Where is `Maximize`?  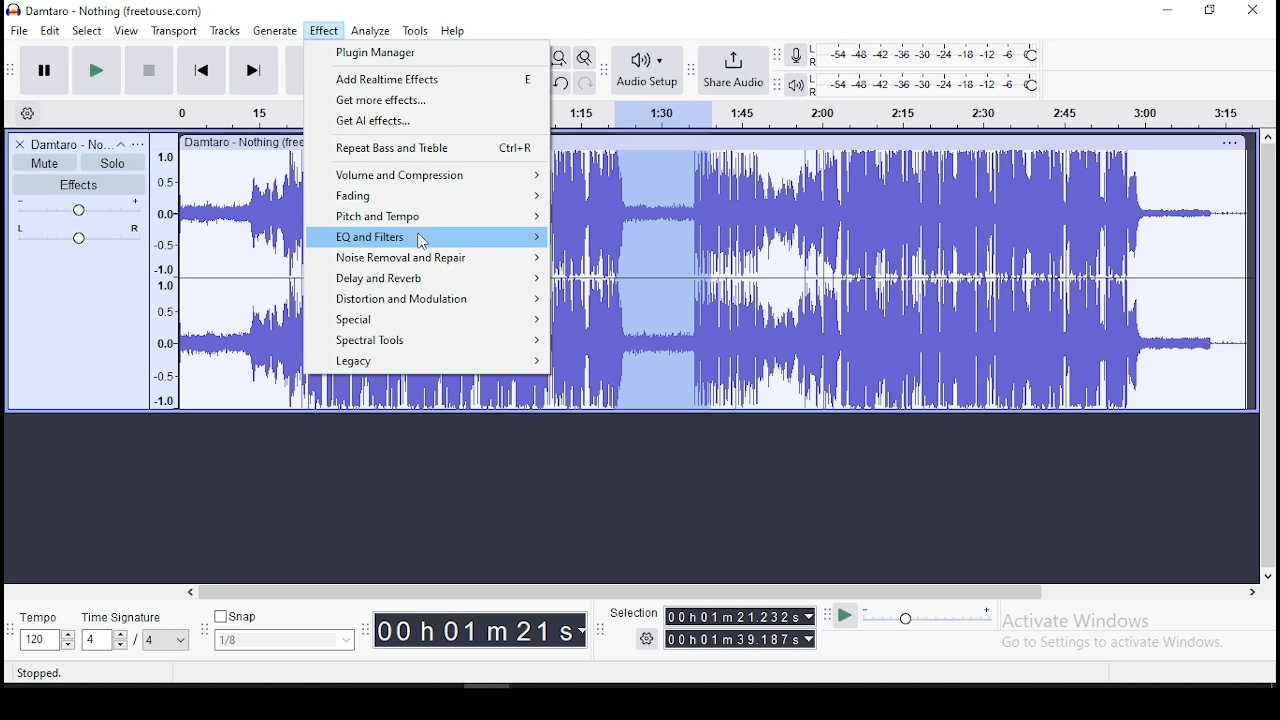 Maximize is located at coordinates (1210, 10).